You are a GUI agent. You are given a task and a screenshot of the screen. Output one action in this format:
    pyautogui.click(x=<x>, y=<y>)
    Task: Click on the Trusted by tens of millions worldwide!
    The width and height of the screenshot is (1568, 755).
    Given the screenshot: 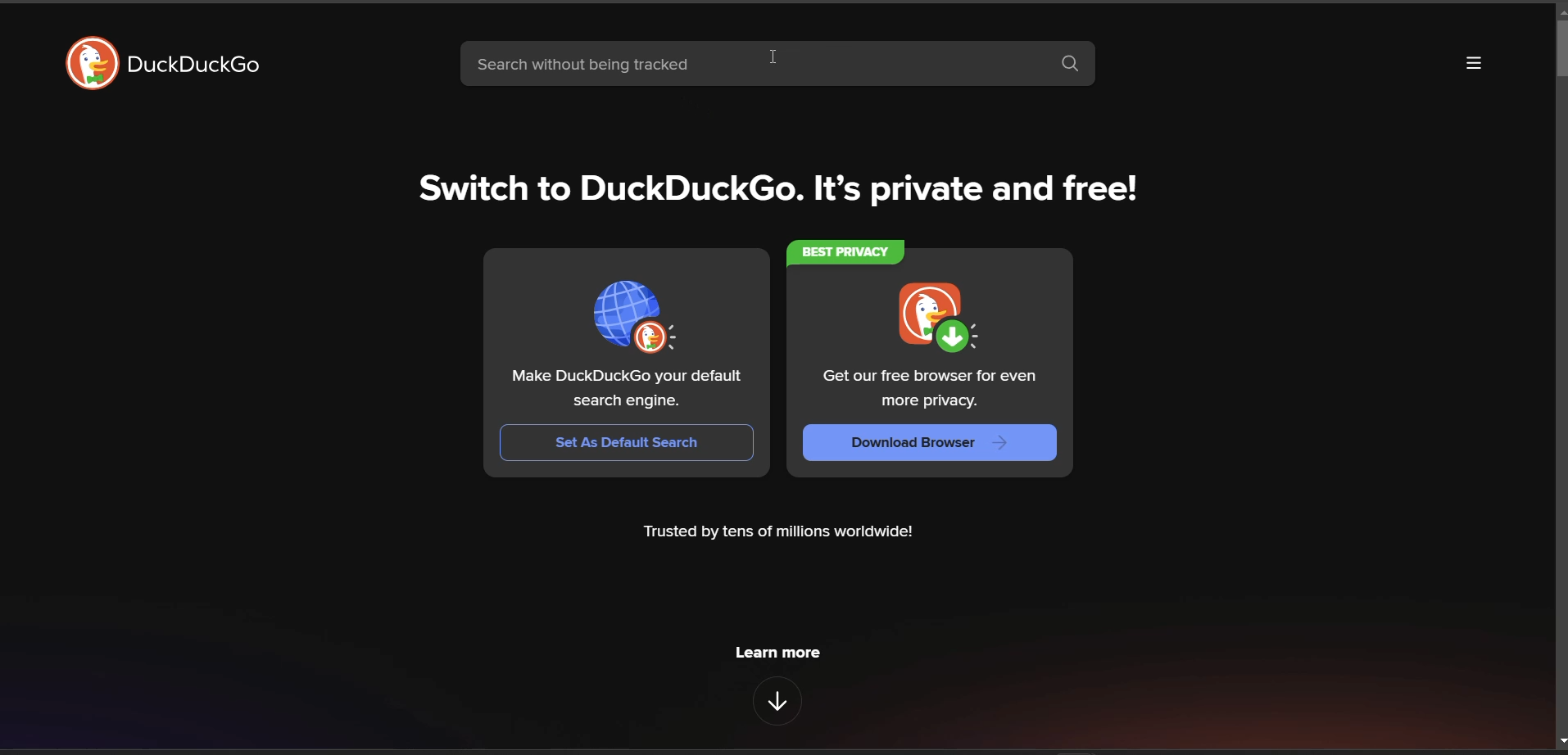 What is the action you would take?
    pyautogui.click(x=789, y=531)
    